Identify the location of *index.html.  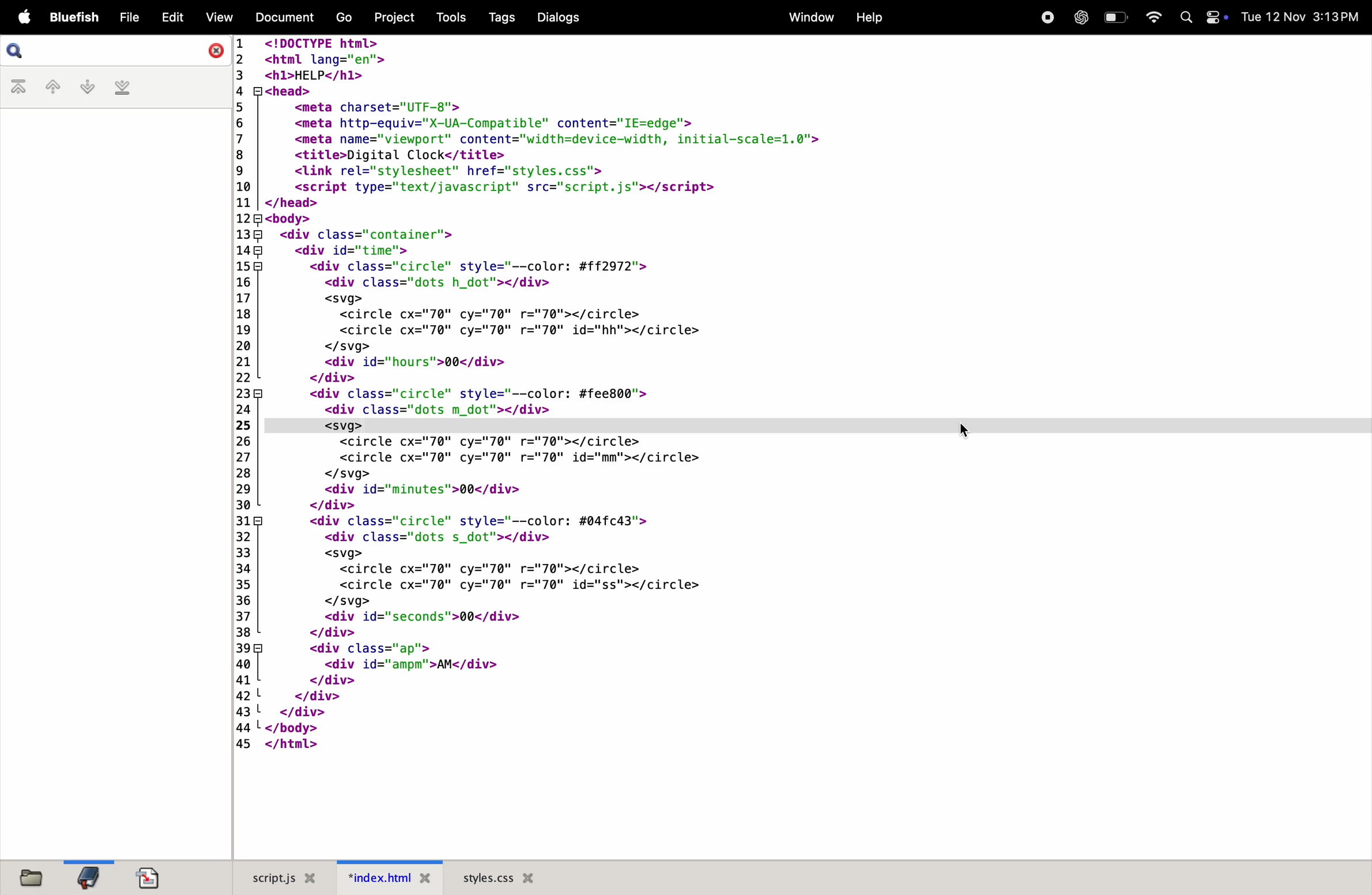
(385, 877).